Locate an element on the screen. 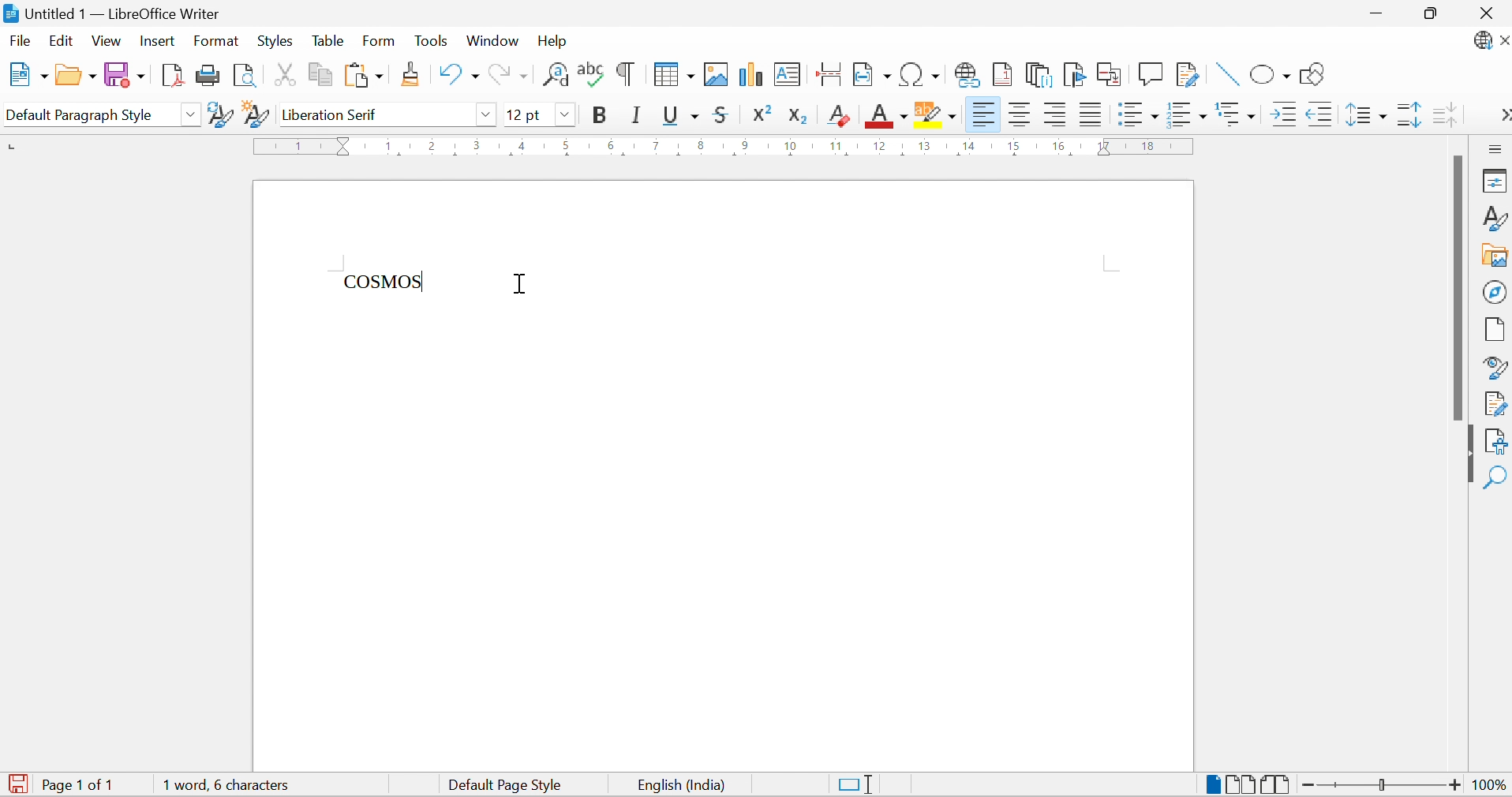 This screenshot has height=797, width=1512. Align Left is located at coordinates (983, 114).